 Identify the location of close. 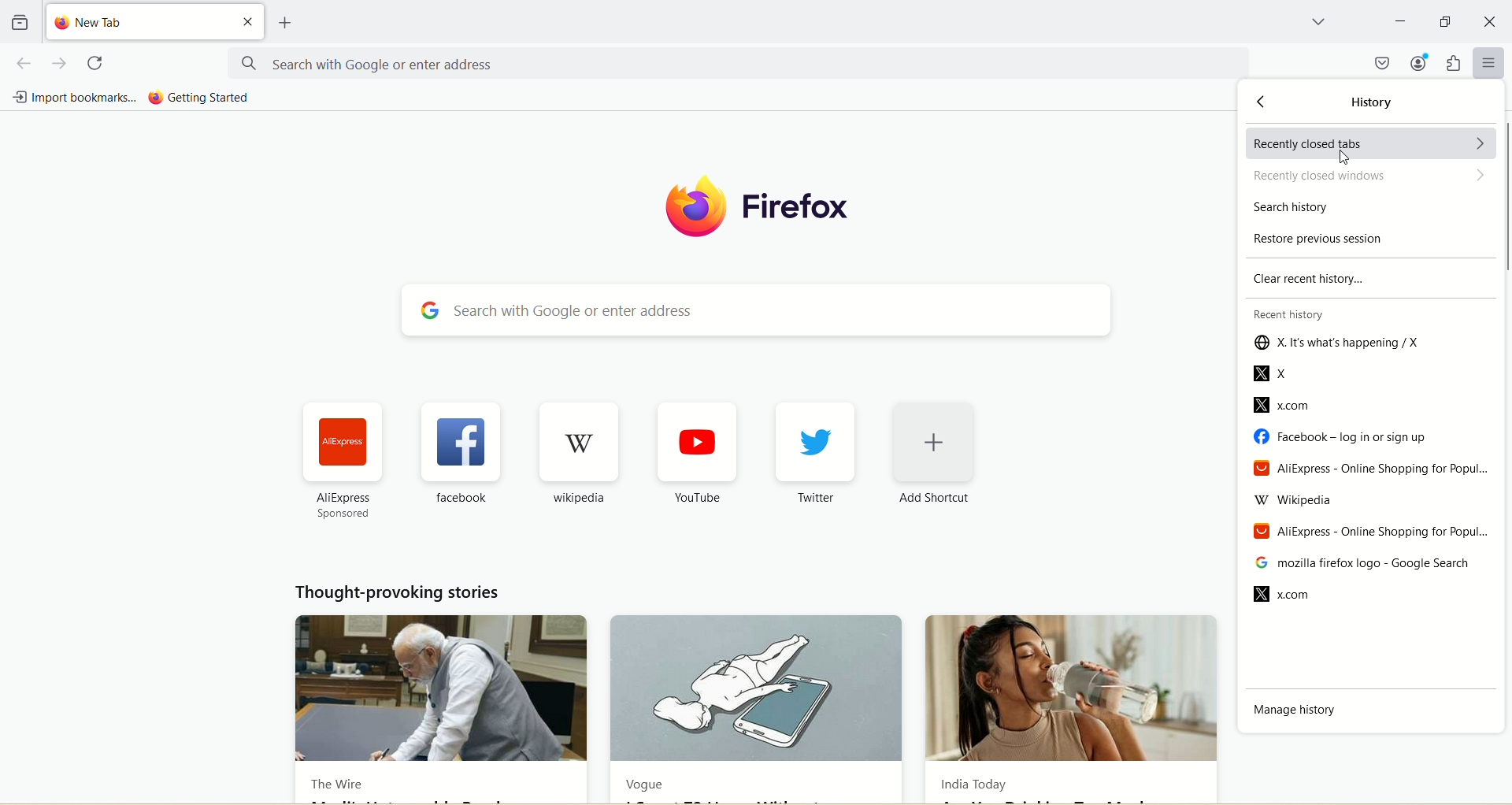
(248, 20).